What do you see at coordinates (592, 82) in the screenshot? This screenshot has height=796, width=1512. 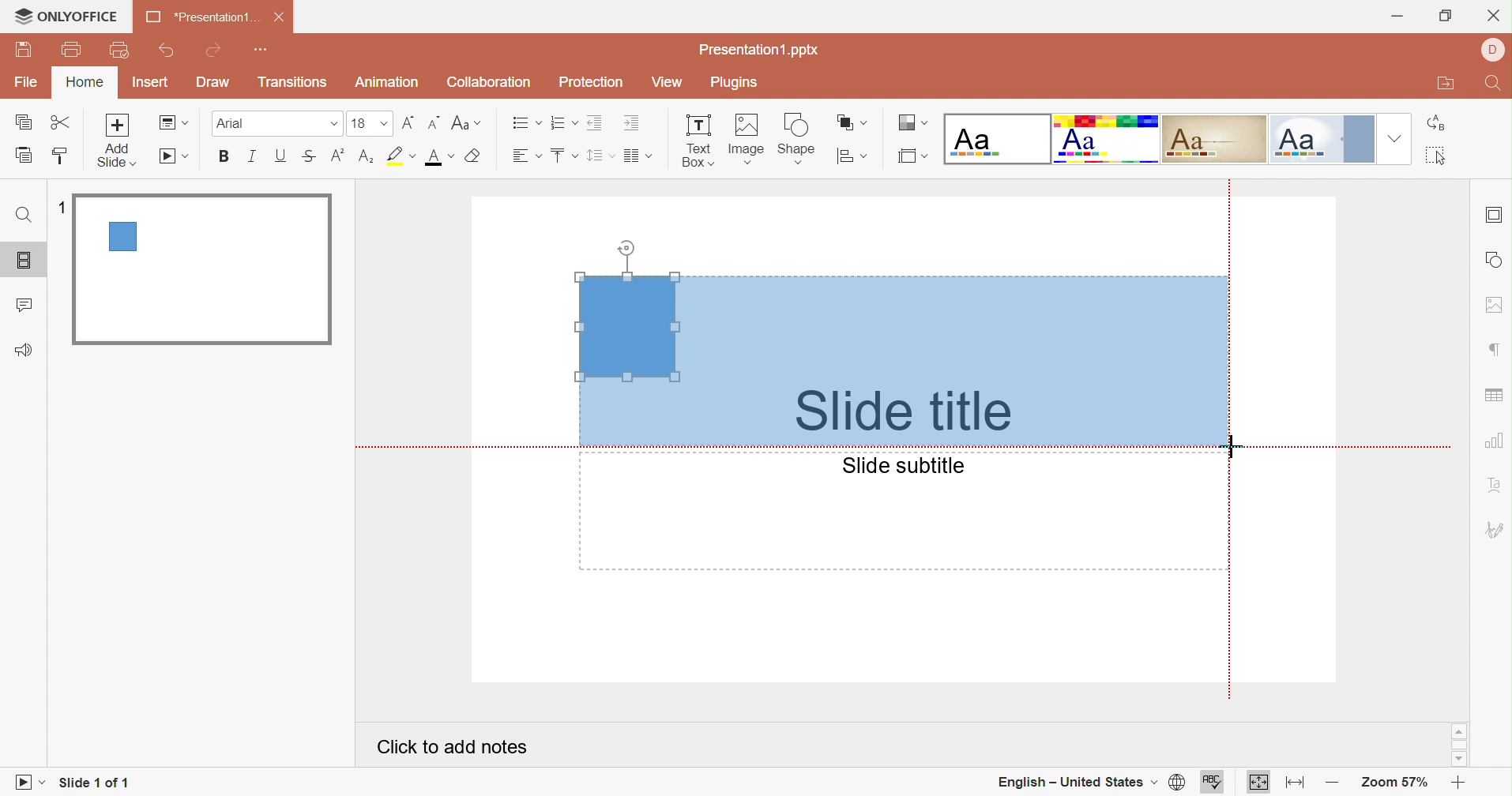 I see `Protection` at bounding box center [592, 82].